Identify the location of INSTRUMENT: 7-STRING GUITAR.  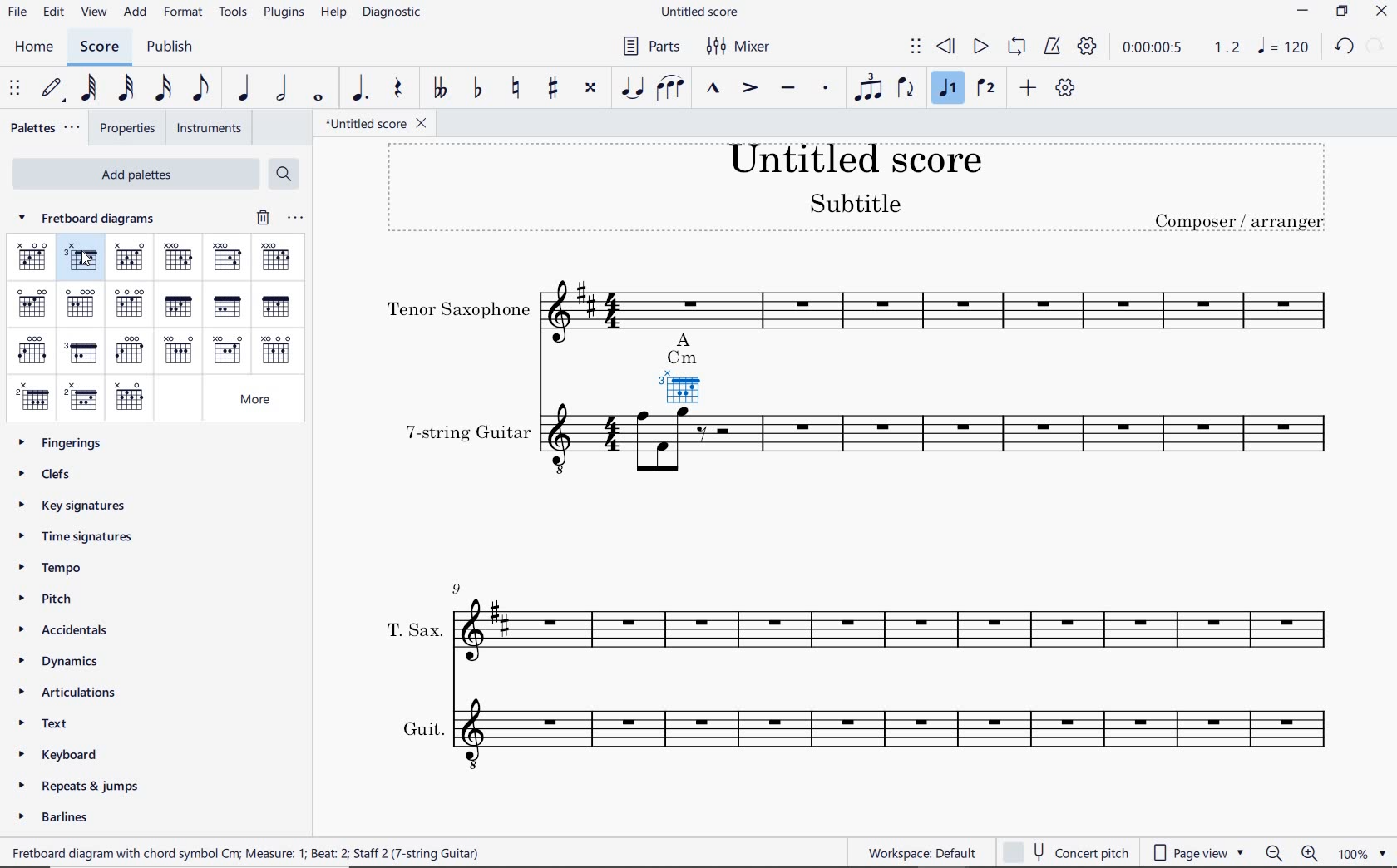
(866, 456).